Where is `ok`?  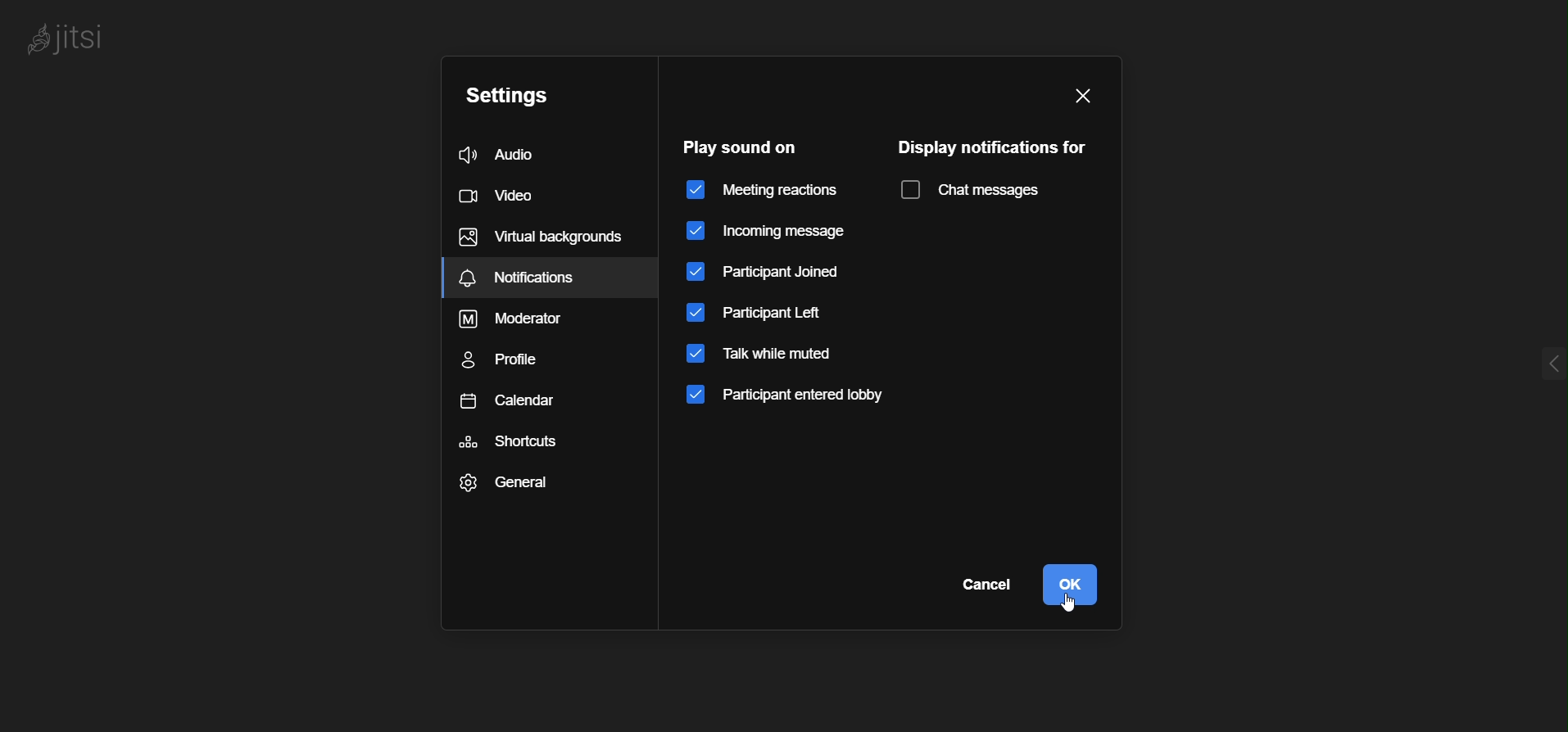
ok is located at coordinates (1074, 585).